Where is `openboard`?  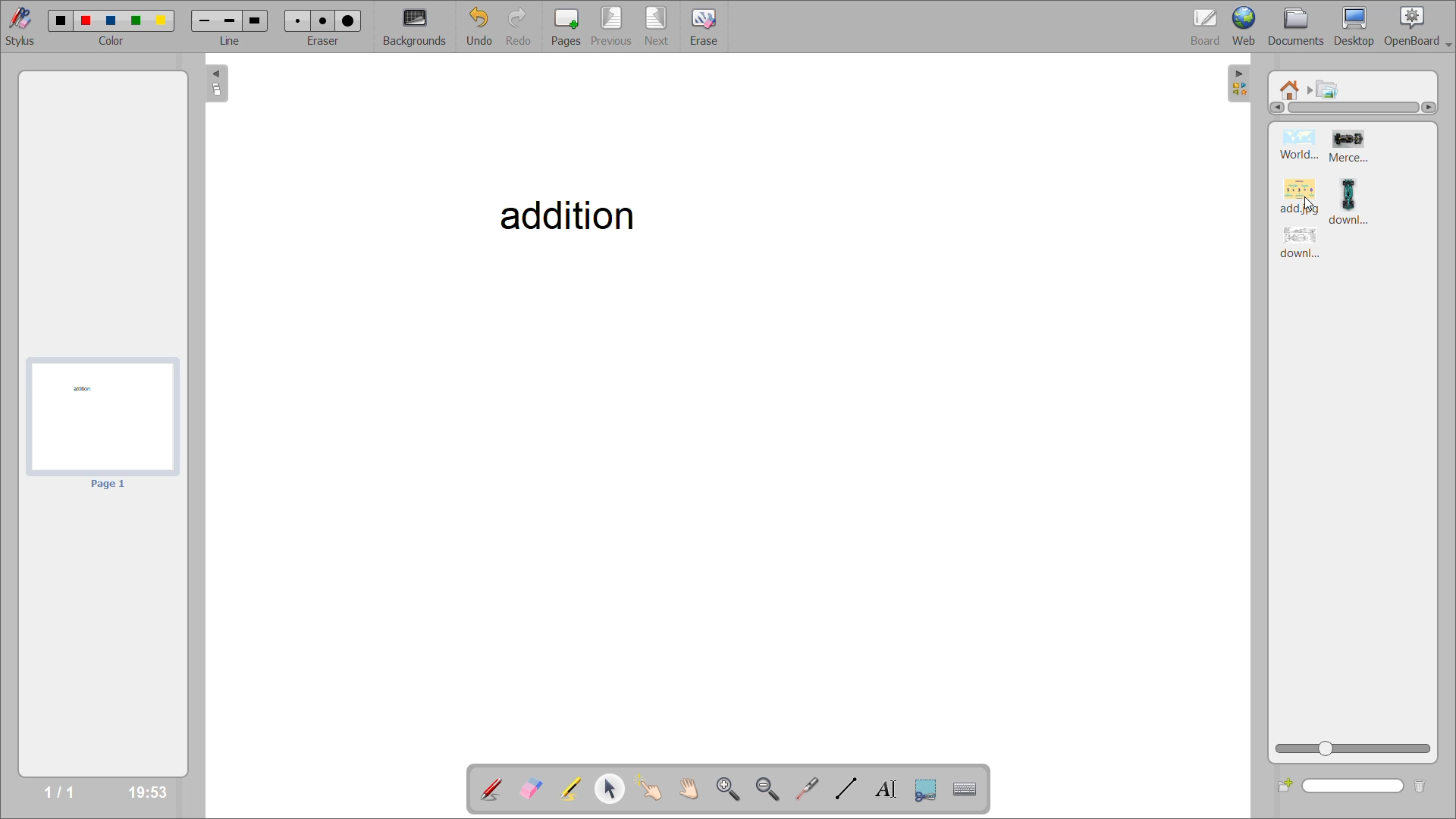
openboard is located at coordinates (1420, 27).